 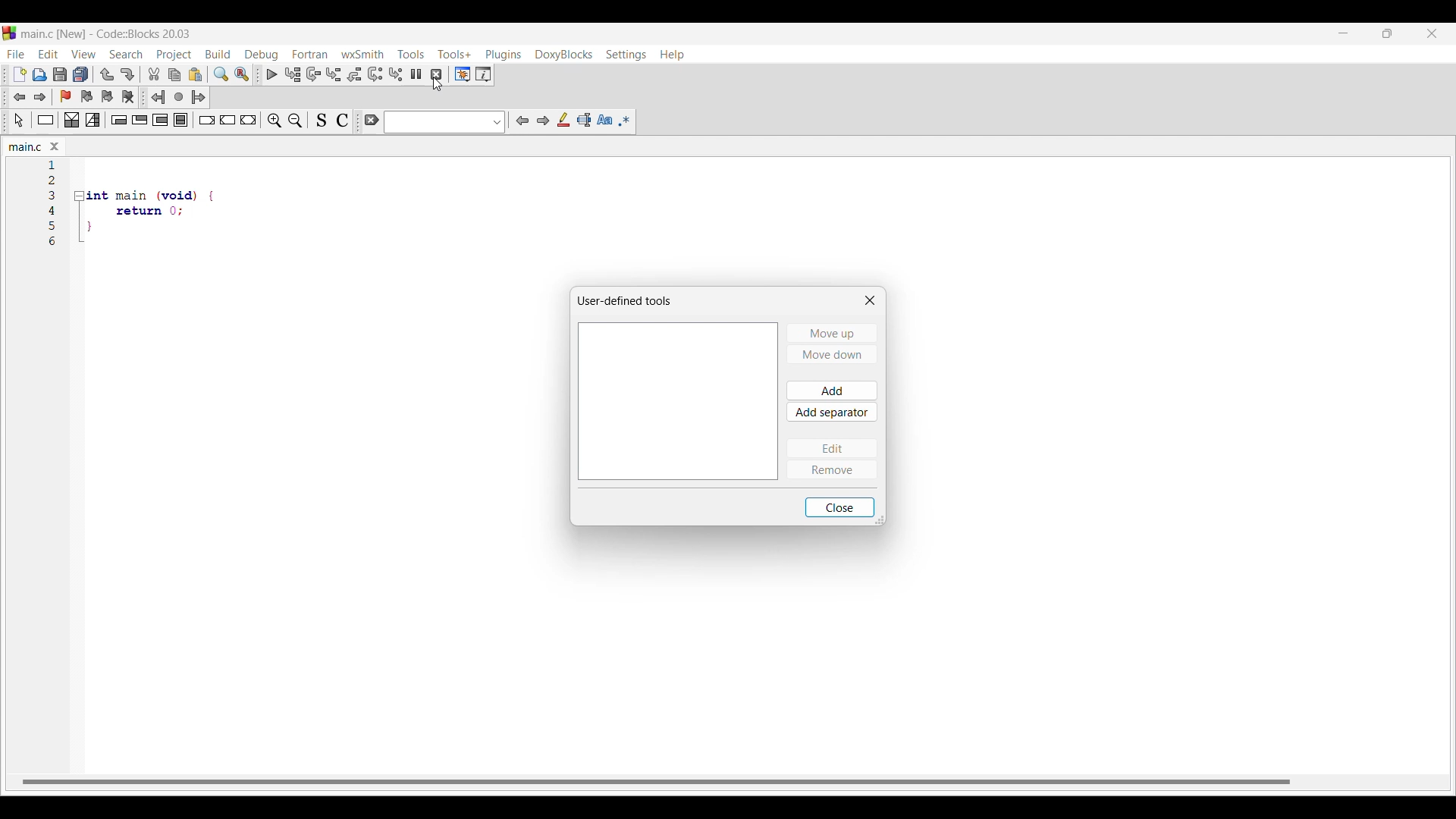 I want to click on Toggle bookmark, so click(x=65, y=97).